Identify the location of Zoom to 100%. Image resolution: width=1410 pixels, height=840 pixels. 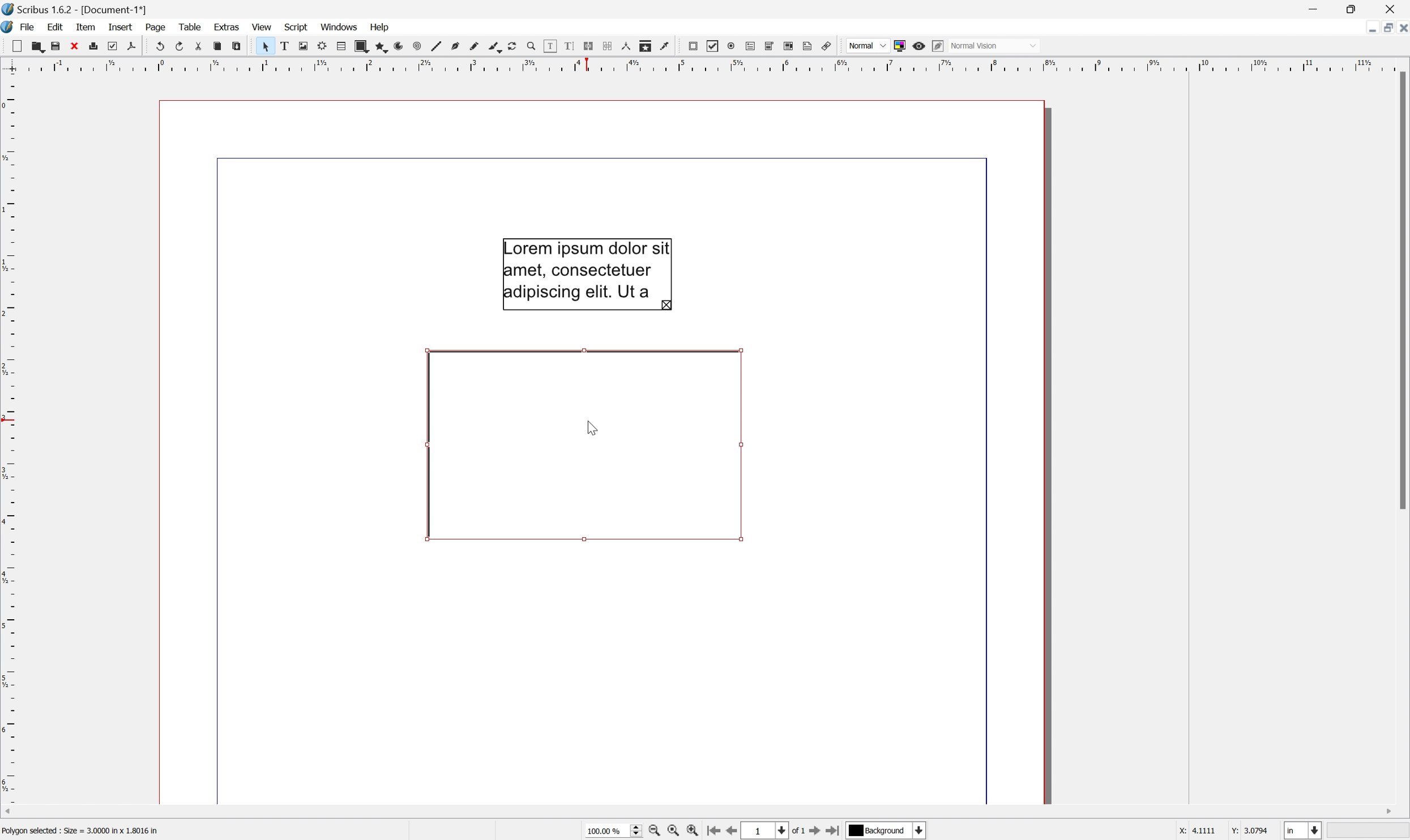
(676, 832).